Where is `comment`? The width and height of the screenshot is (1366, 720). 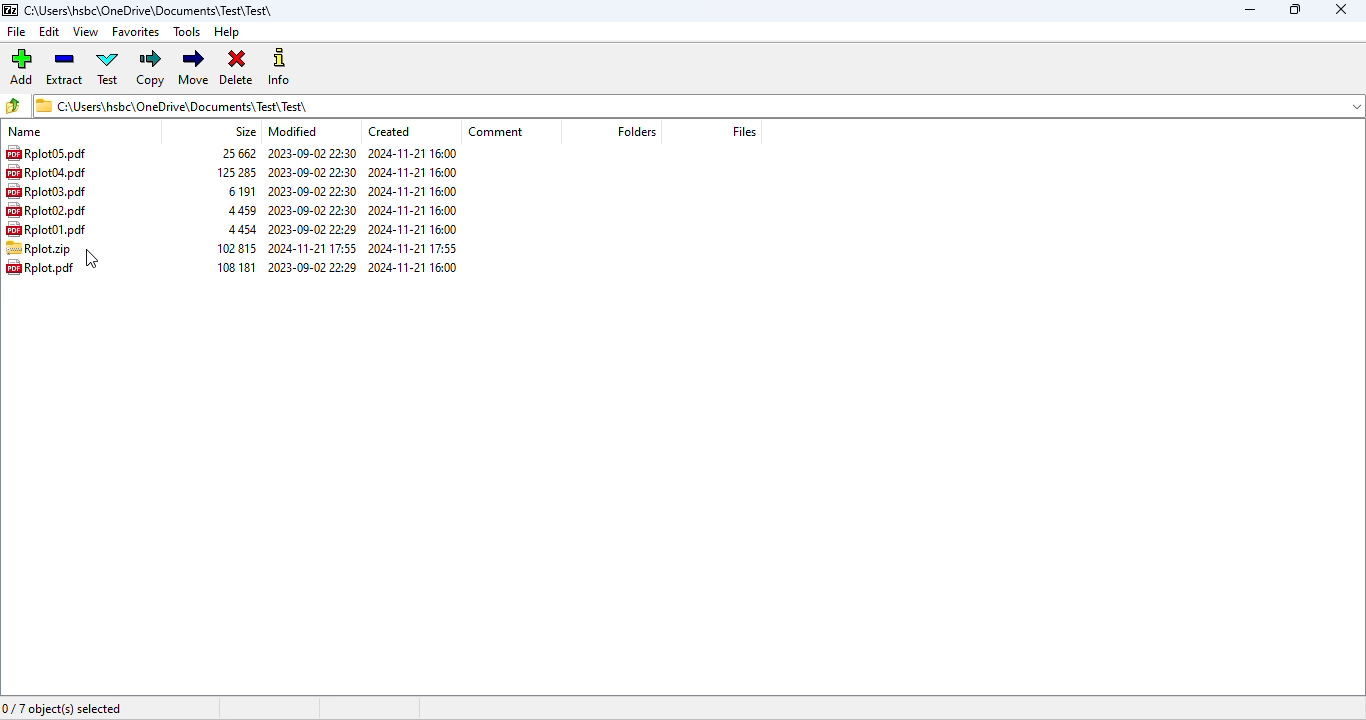 comment is located at coordinates (497, 132).